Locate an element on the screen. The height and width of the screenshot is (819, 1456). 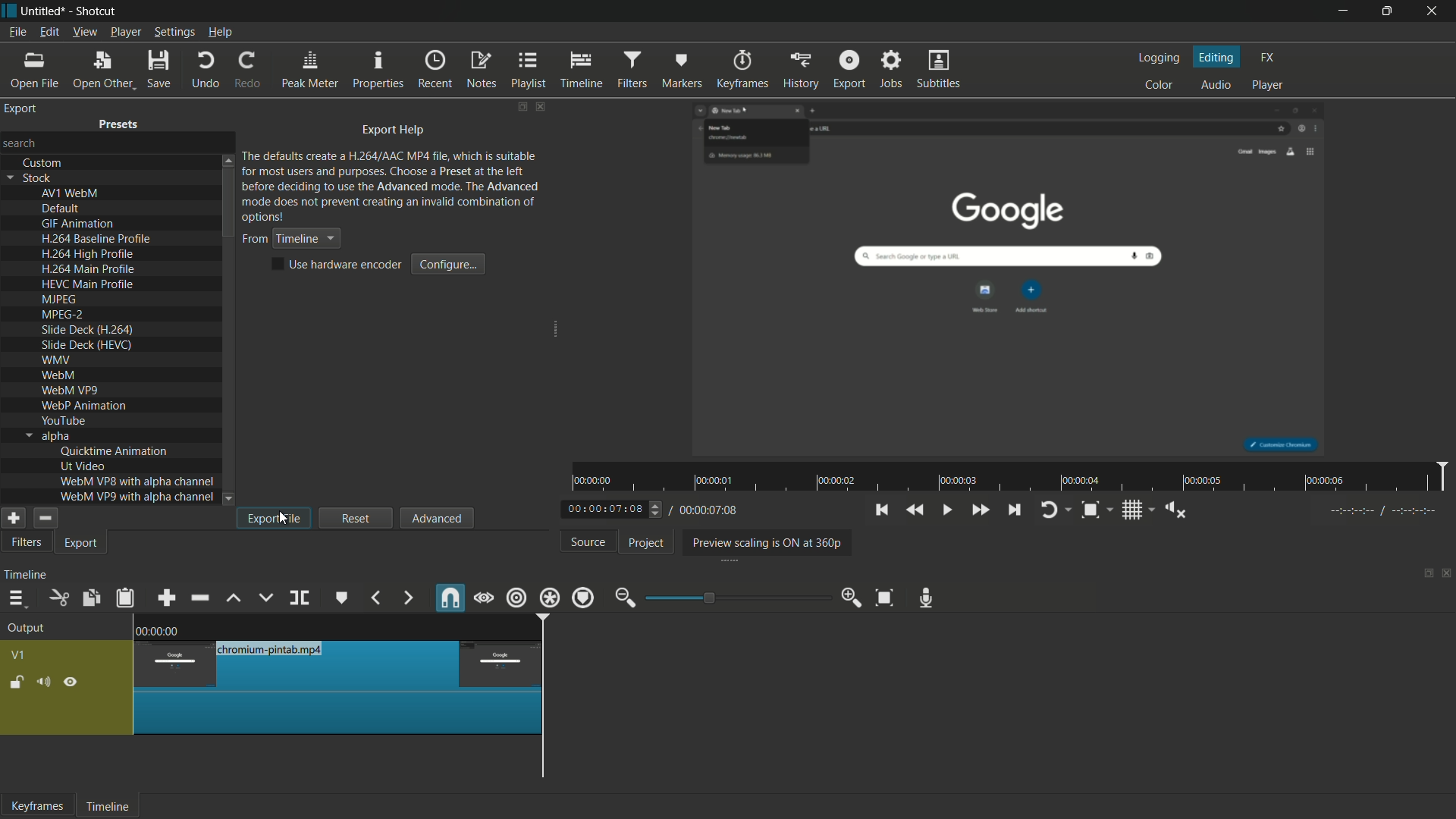
preview scaling is on at 360p is located at coordinates (764, 544).